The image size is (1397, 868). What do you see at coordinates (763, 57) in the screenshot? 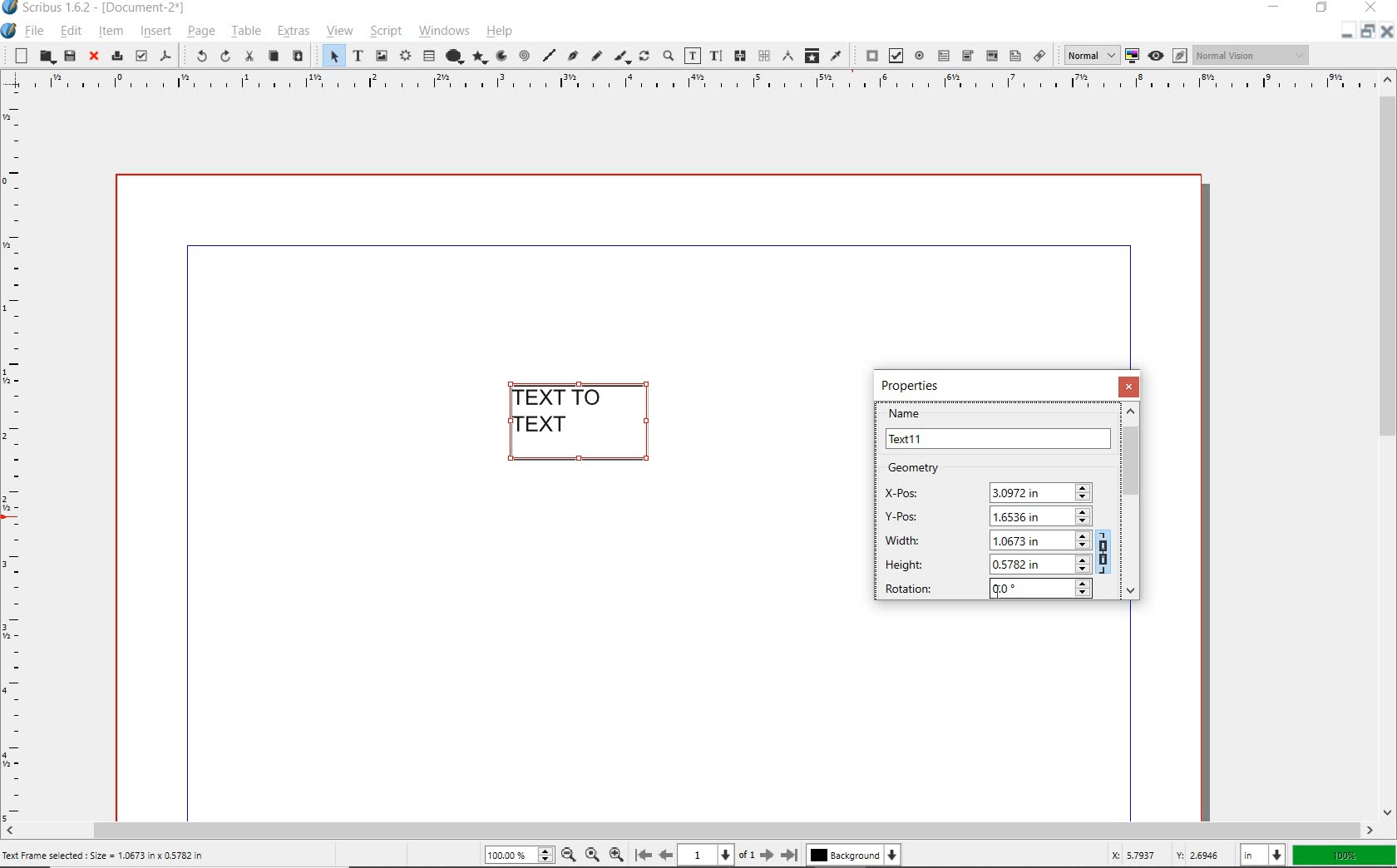
I see `unlink text frames` at bounding box center [763, 57].